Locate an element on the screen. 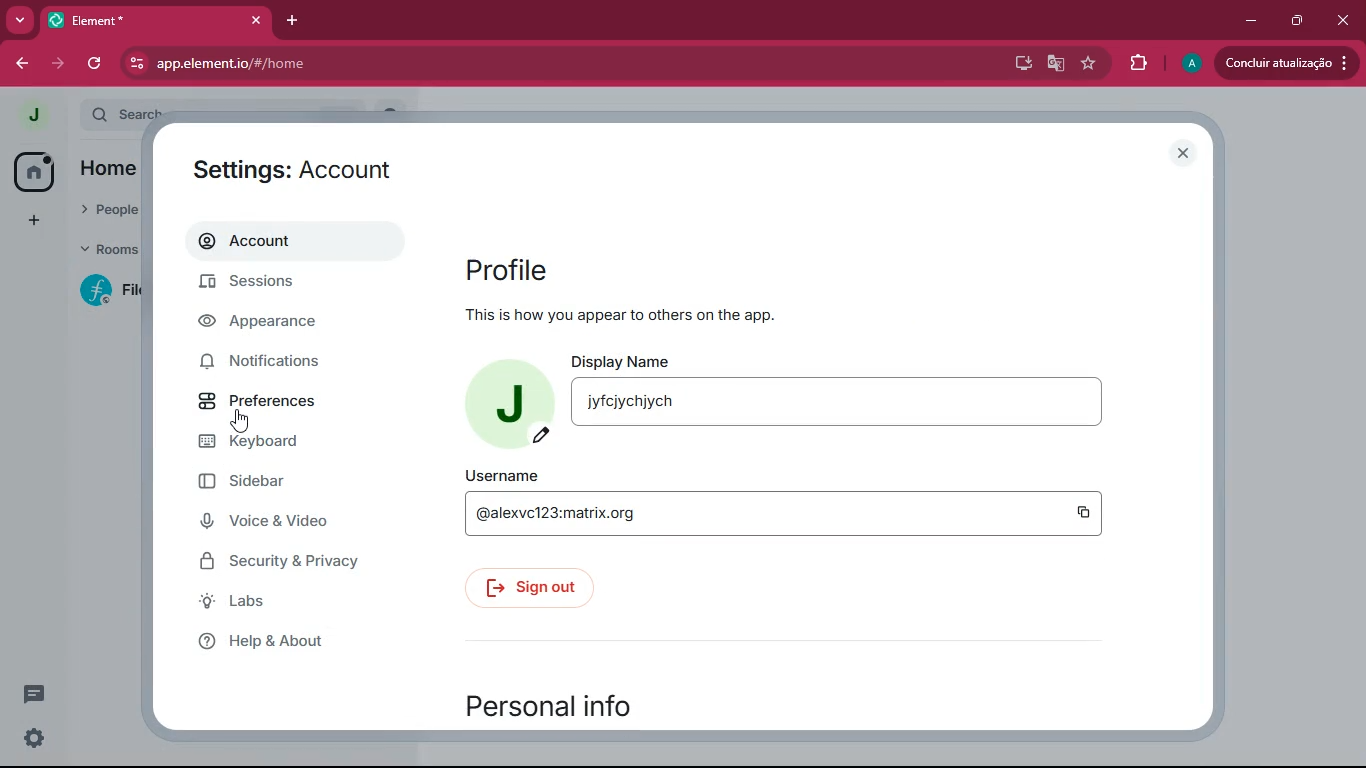 The width and height of the screenshot is (1366, 768). extensions is located at coordinates (1139, 63).